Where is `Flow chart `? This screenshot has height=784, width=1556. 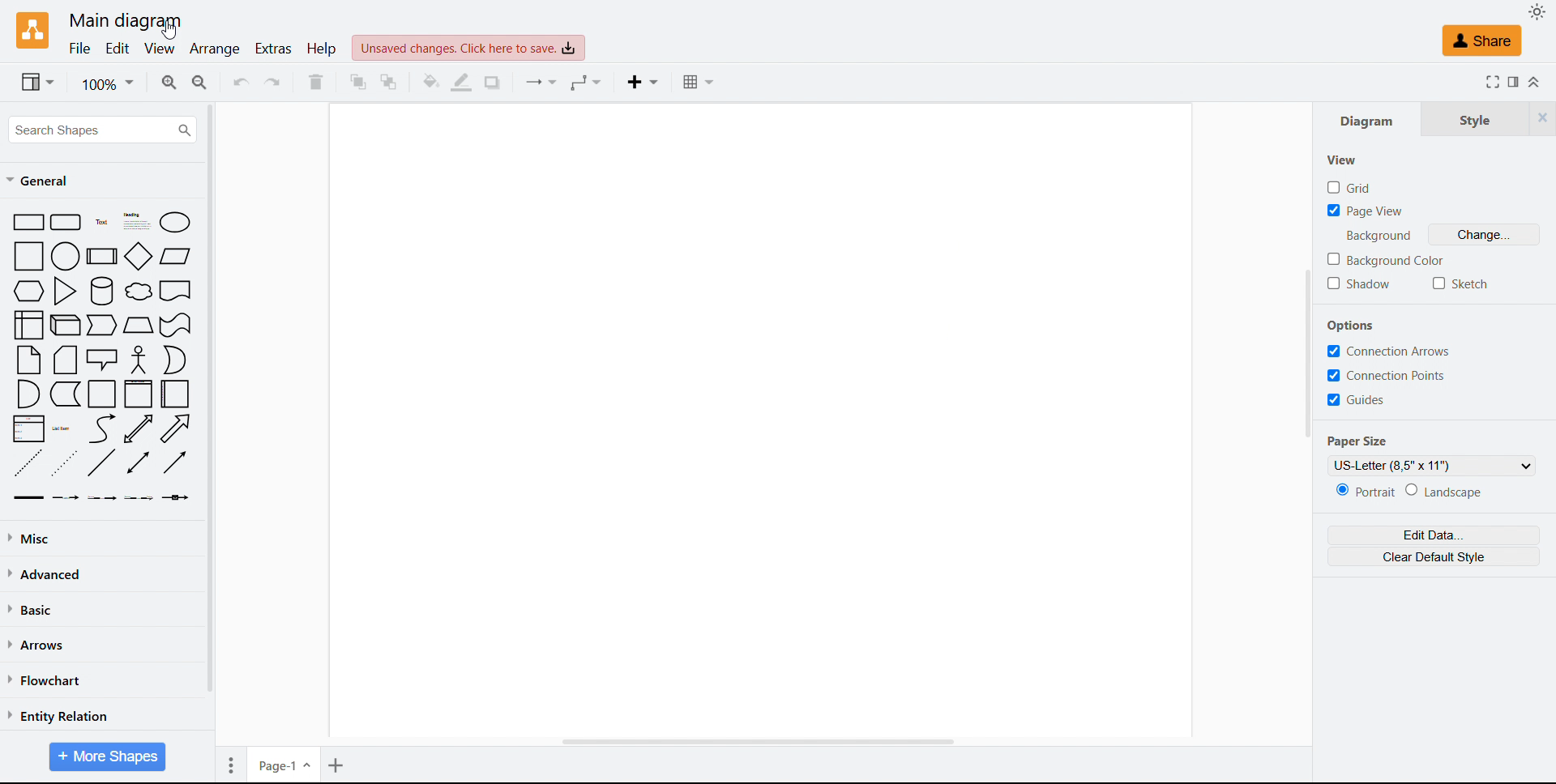 Flow chart  is located at coordinates (45, 681).